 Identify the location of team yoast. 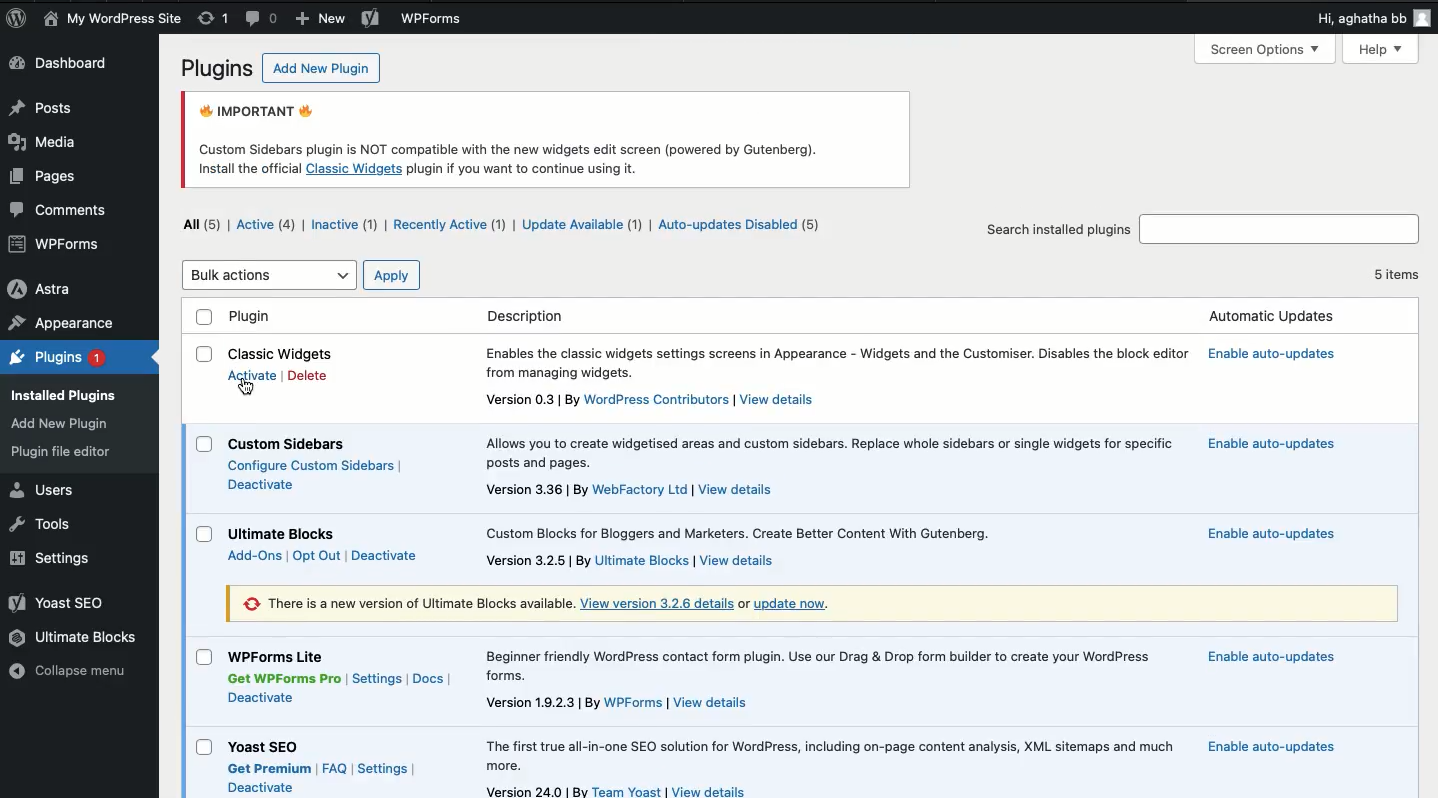
(629, 790).